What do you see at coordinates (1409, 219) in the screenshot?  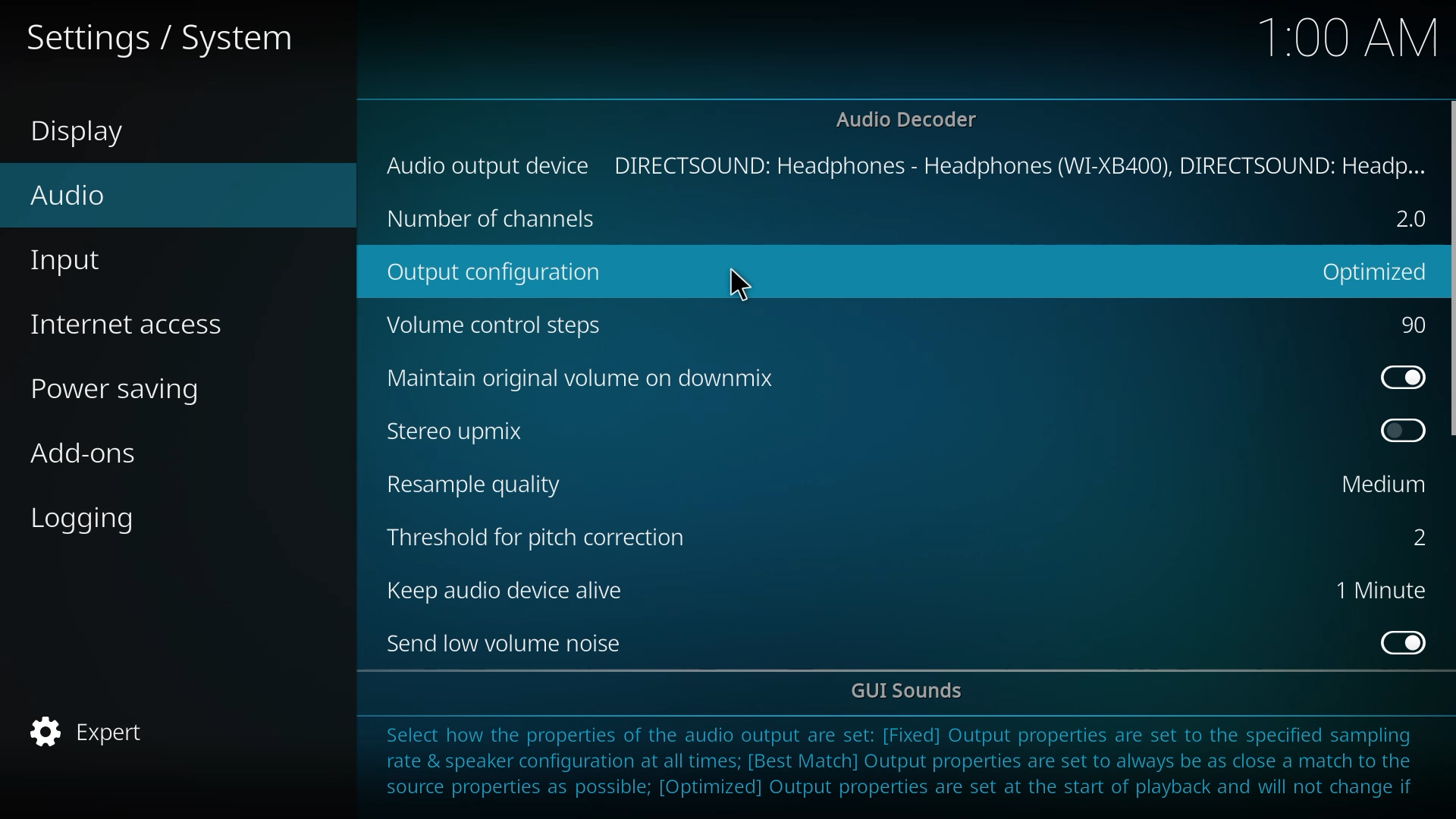 I see `2` at bounding box center [1409, 219].